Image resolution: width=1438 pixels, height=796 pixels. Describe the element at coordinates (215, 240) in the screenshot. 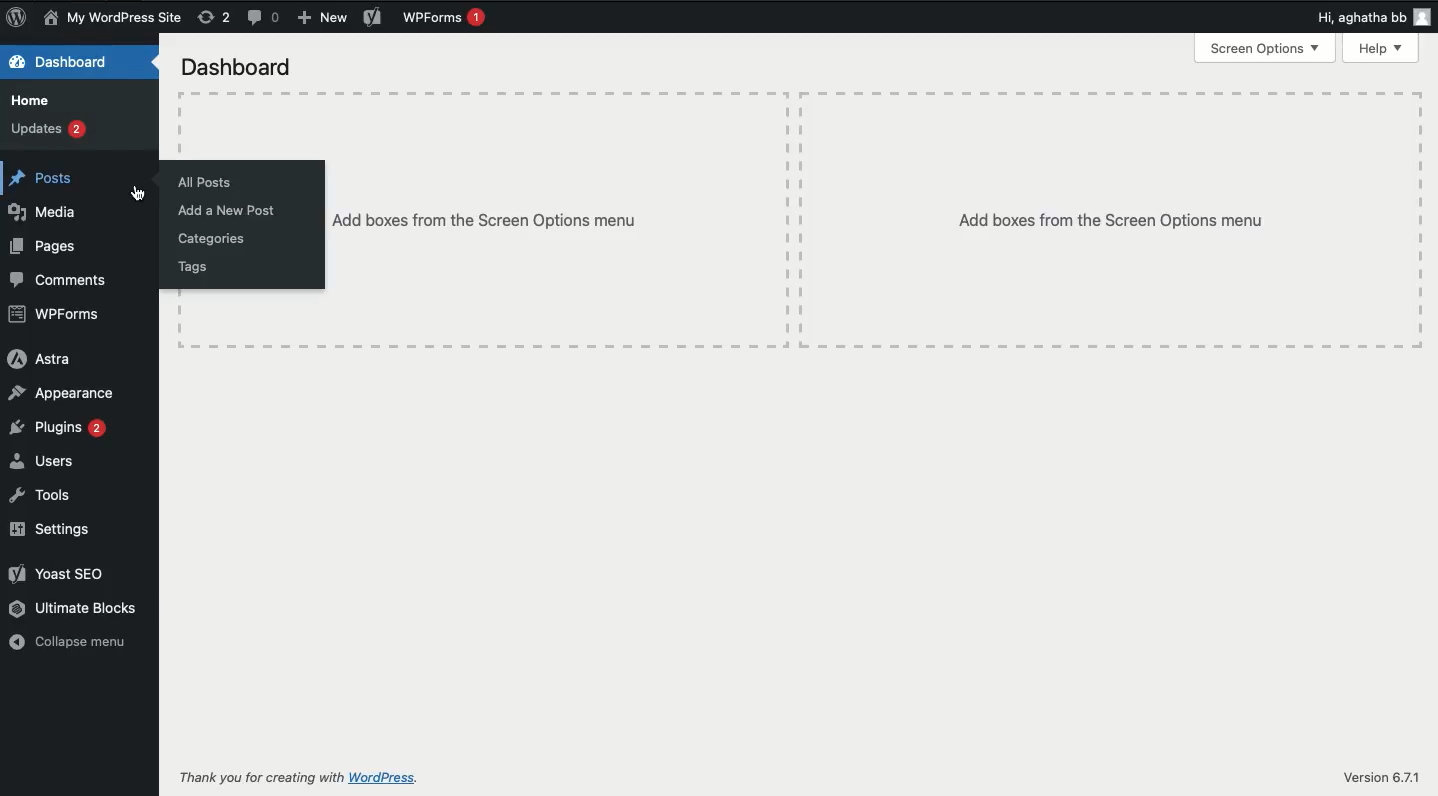

I see `Categories` at that location.